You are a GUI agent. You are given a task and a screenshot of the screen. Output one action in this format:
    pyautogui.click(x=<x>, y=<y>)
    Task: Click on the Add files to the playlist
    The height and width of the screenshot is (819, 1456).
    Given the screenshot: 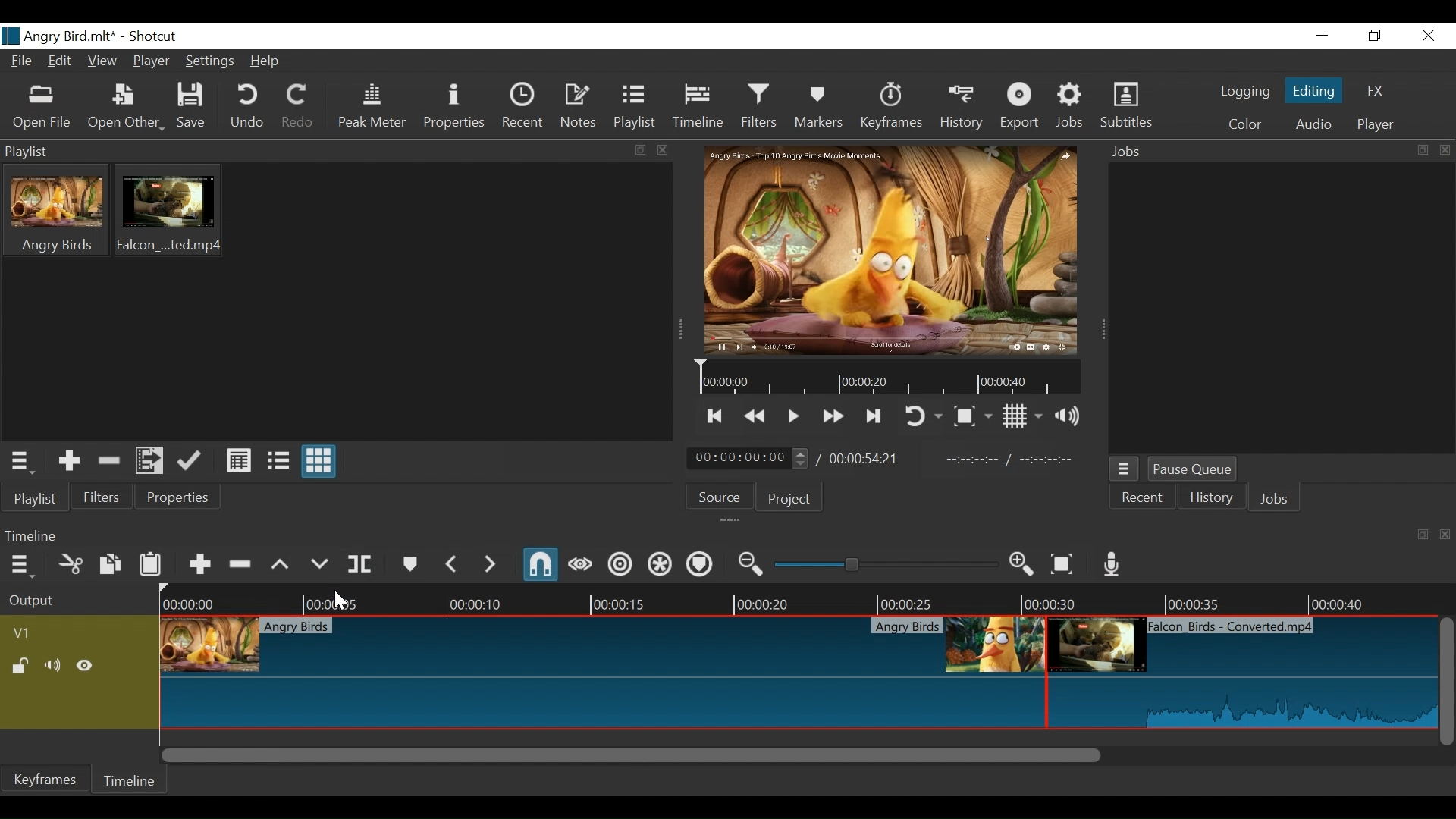 What is the action you would take?
    pyautogui.click(x=149, y=462)
    